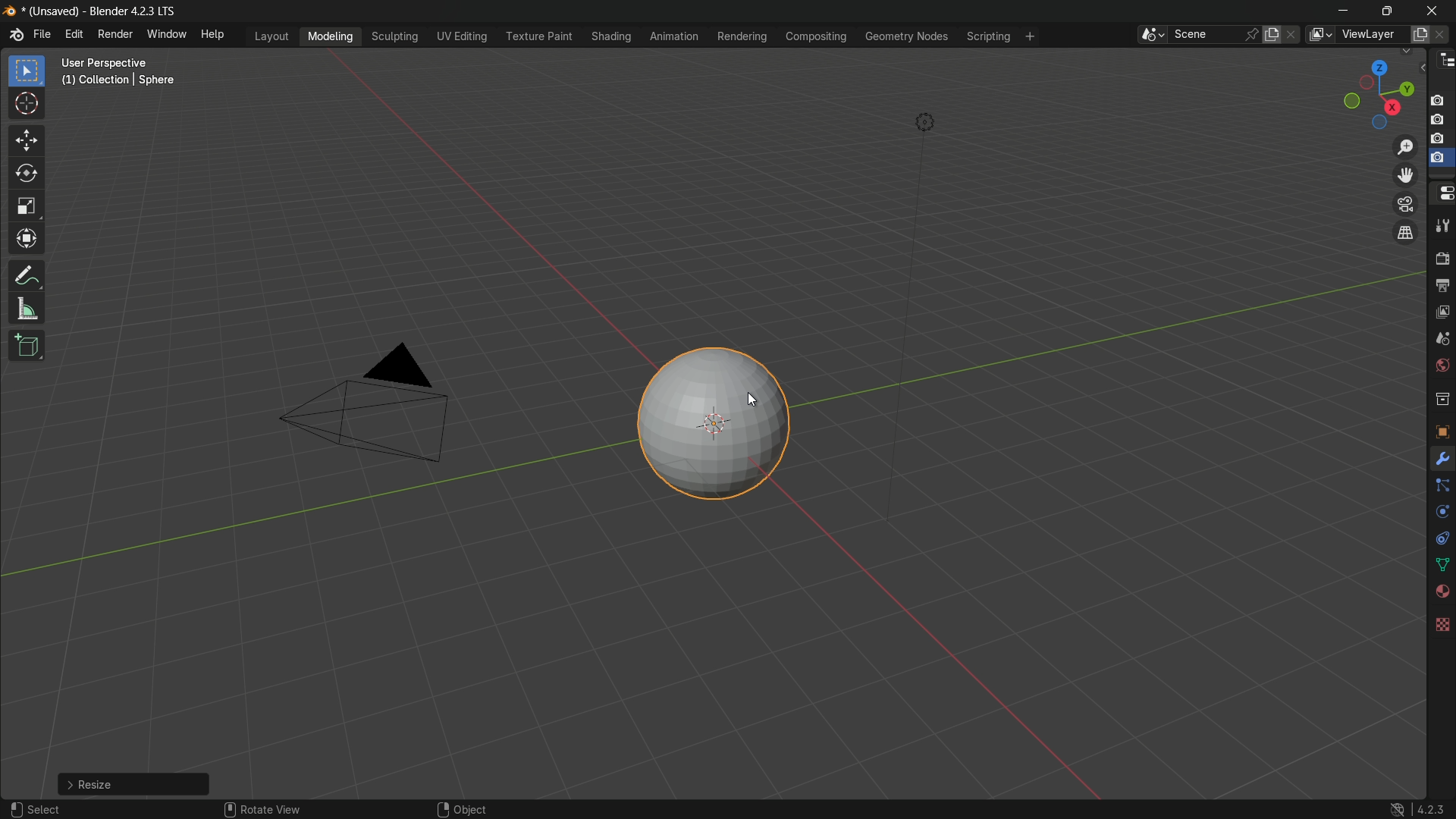 Image resolution: width=1456 pixels, height=819 pixels. I want to click on remove layer, so click(1443, 34).